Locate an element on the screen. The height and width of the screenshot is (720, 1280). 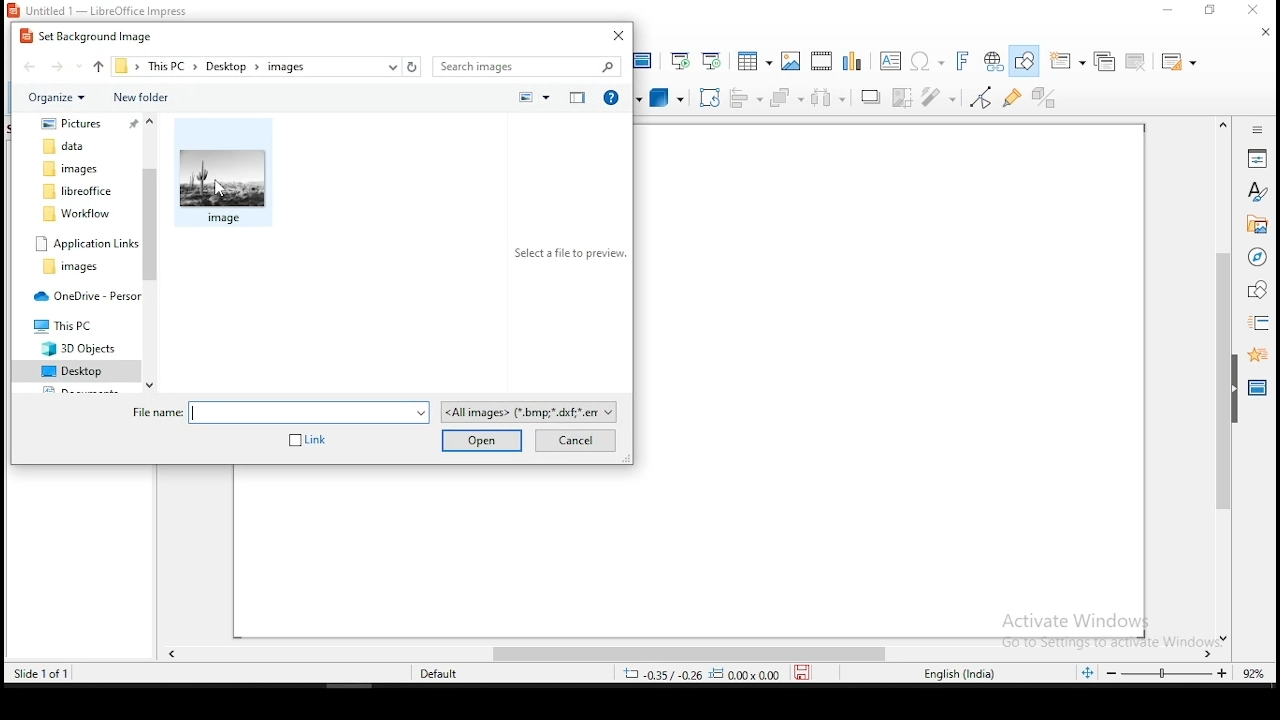
navigator is located at coordinates (1258, 257).